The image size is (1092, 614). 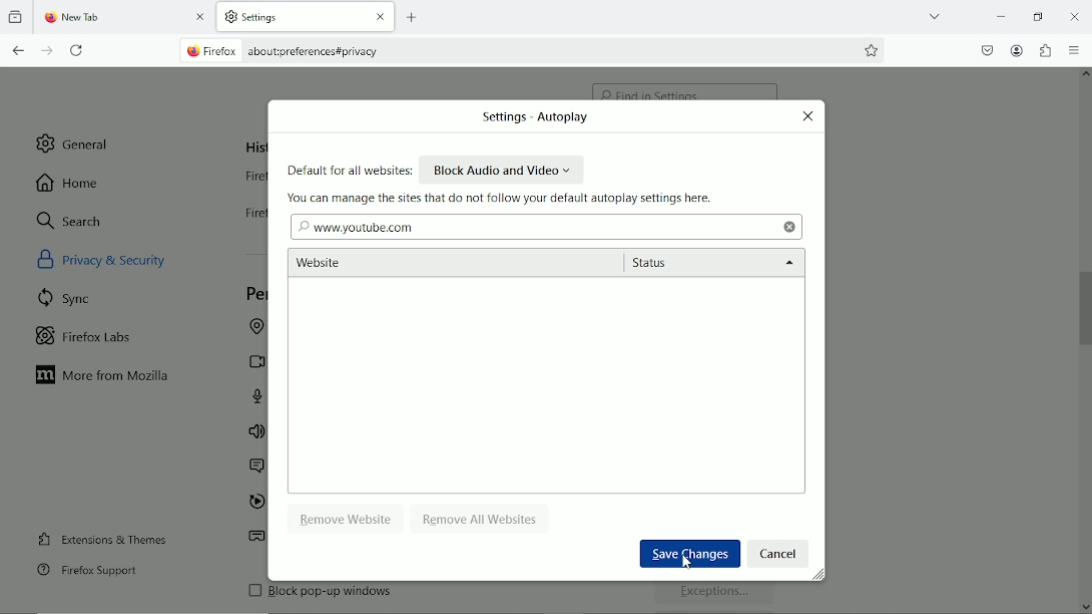 What do you see at coordinates (257, 539) in the screenshot?
I see `virtual reality` at bounding box center [257, 539].